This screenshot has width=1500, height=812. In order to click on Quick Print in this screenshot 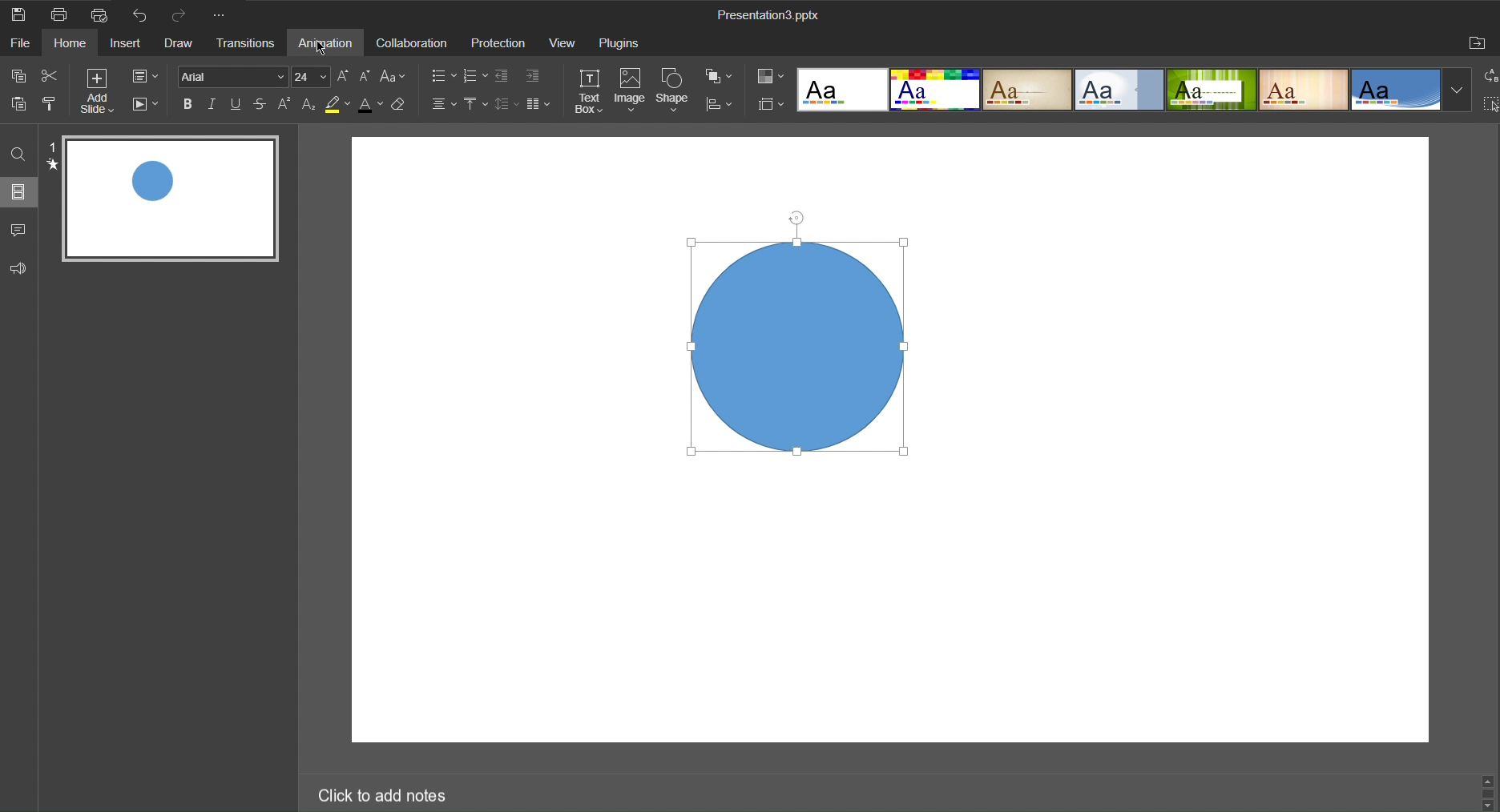, I will do `click(98, 14)`.